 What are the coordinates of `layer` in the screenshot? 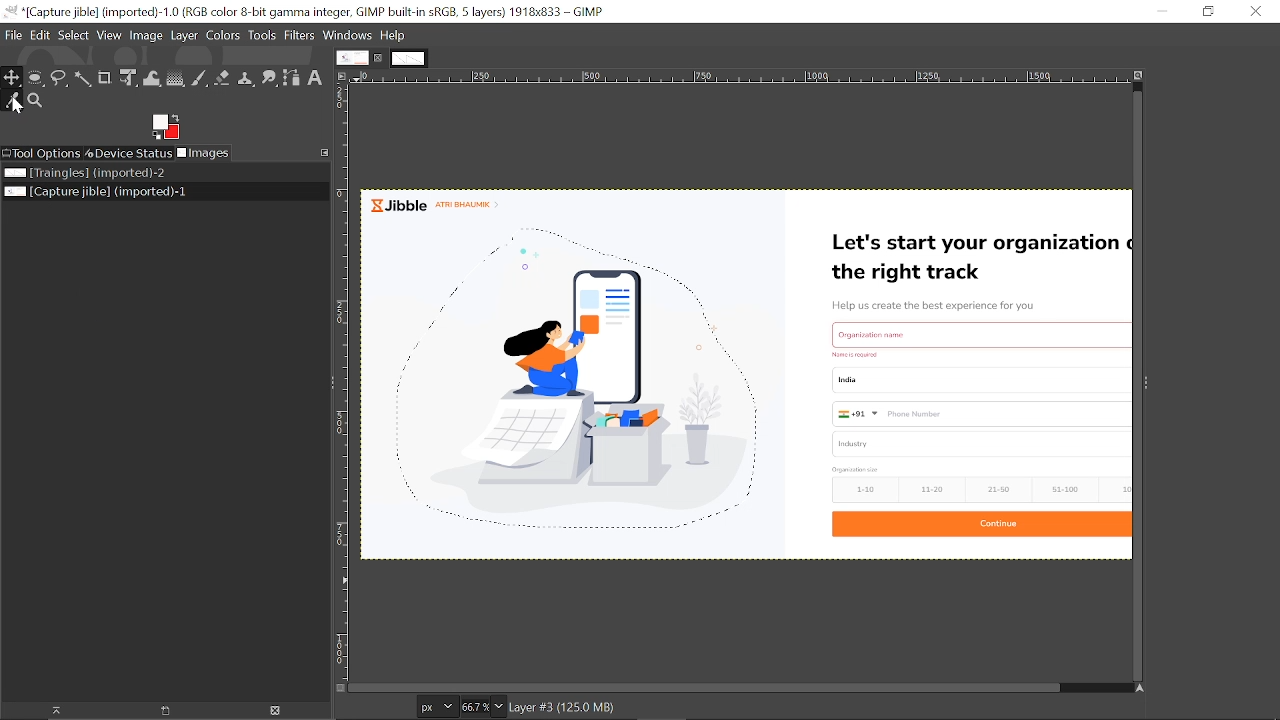 It's located at (184, 36).